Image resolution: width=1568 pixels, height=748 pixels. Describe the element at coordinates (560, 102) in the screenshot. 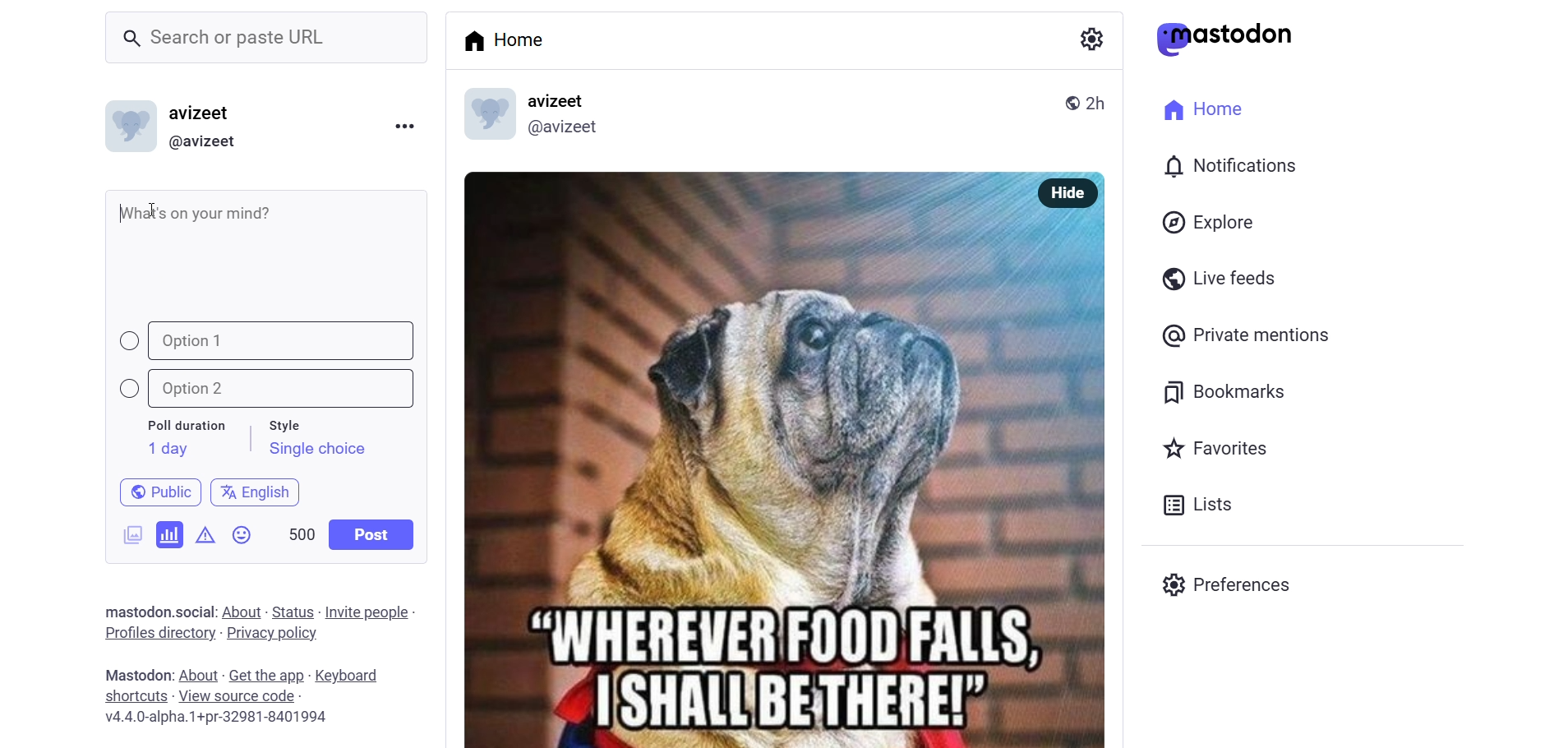

I see `avizeet` at that location.